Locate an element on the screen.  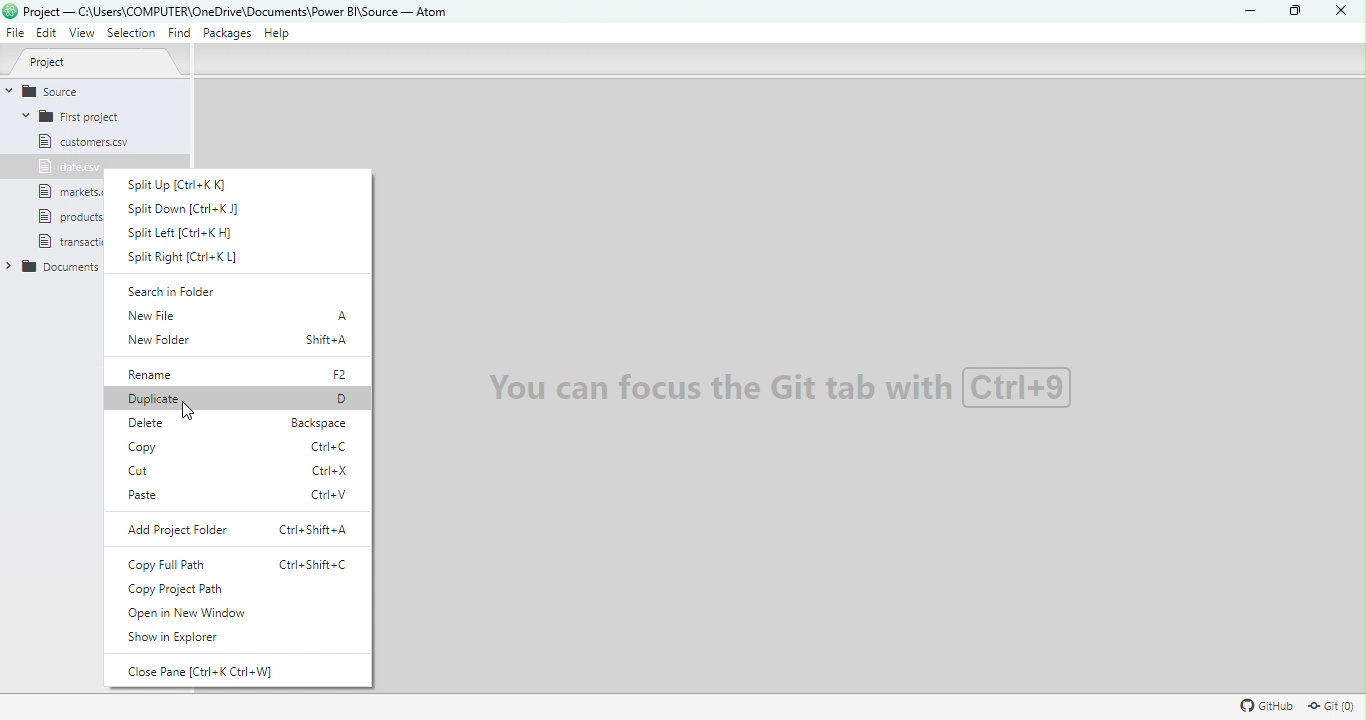
Duplicate is located at coordinates (240, 400).